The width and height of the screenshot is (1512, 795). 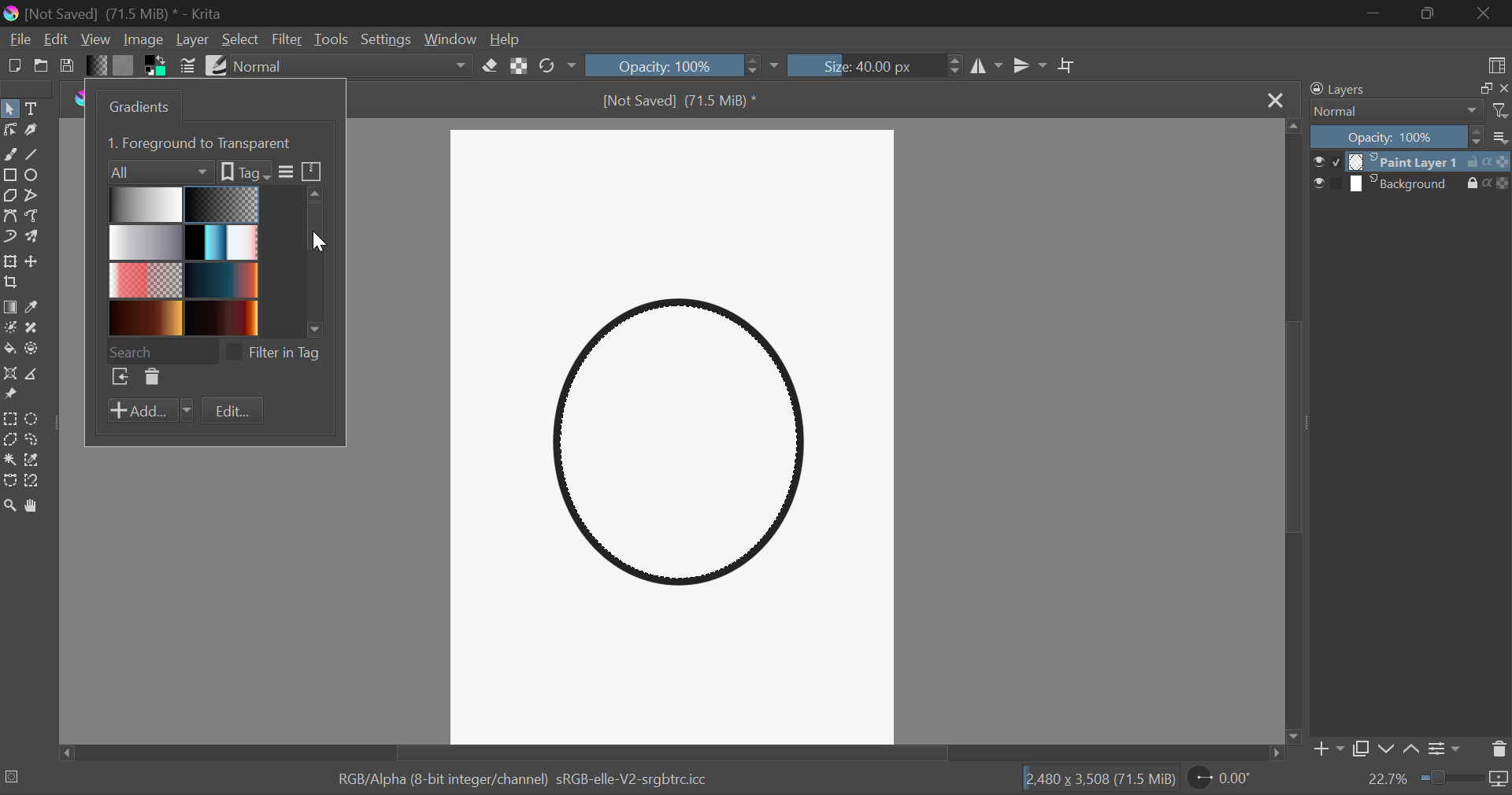 I want to click on Restore Down, so click(x=1374, y=14).